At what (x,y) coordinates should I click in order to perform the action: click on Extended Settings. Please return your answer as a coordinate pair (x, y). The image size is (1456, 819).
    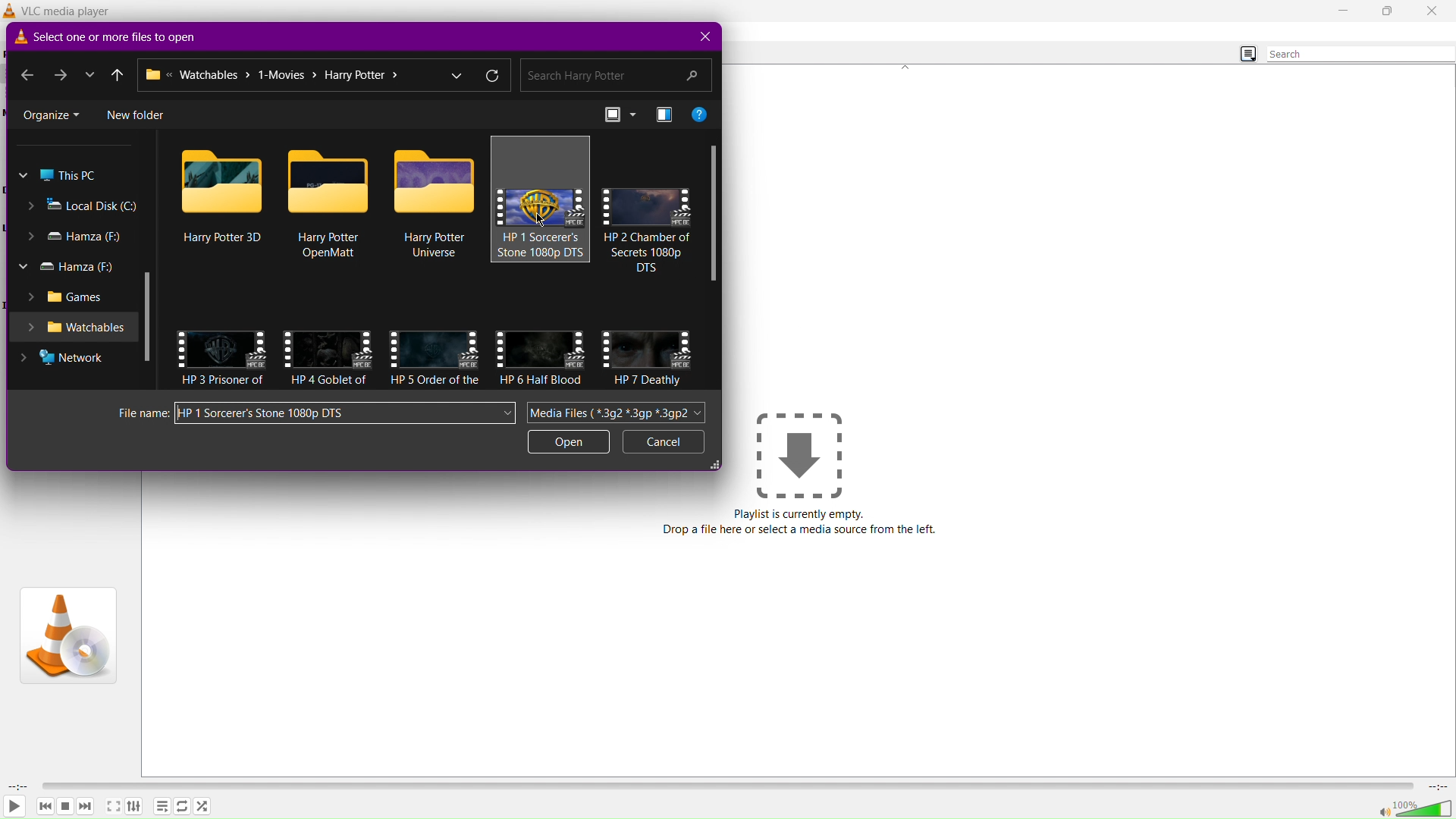
    Looking at the image, I should click on (138, 808).